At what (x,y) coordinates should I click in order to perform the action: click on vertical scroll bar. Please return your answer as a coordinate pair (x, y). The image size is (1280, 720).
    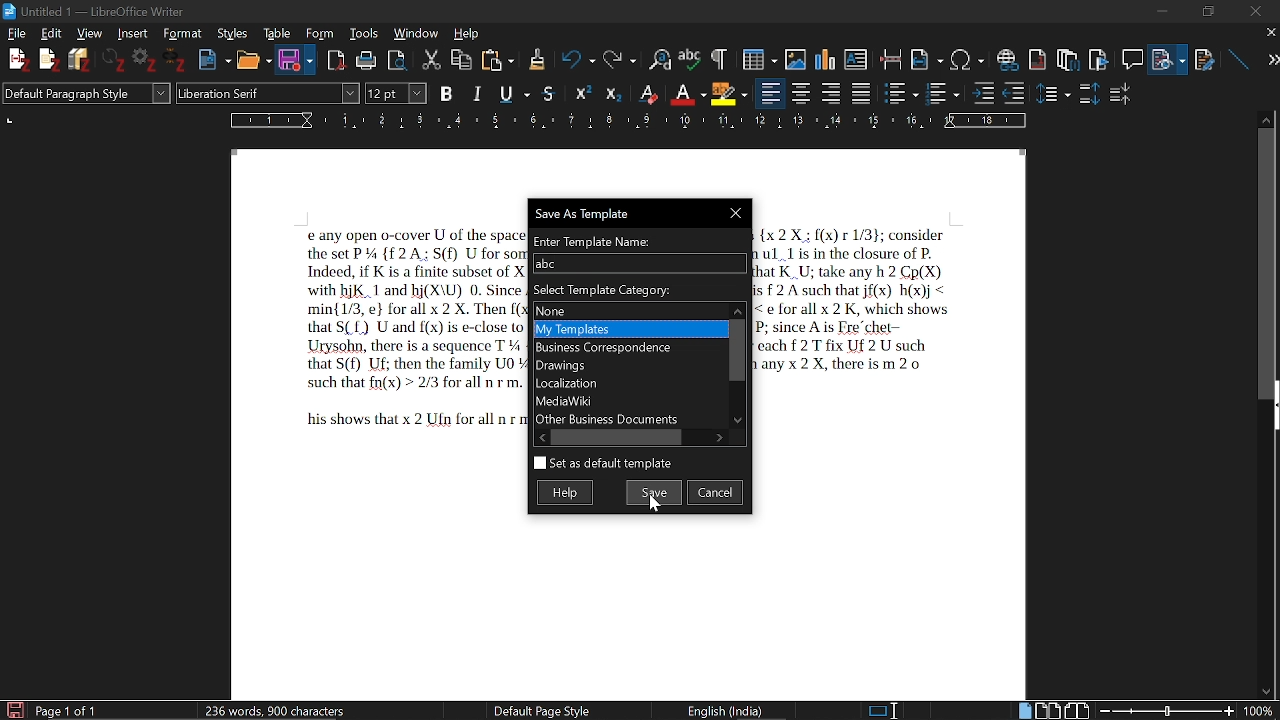
    Looking at the image, I should click on (1267, 262).